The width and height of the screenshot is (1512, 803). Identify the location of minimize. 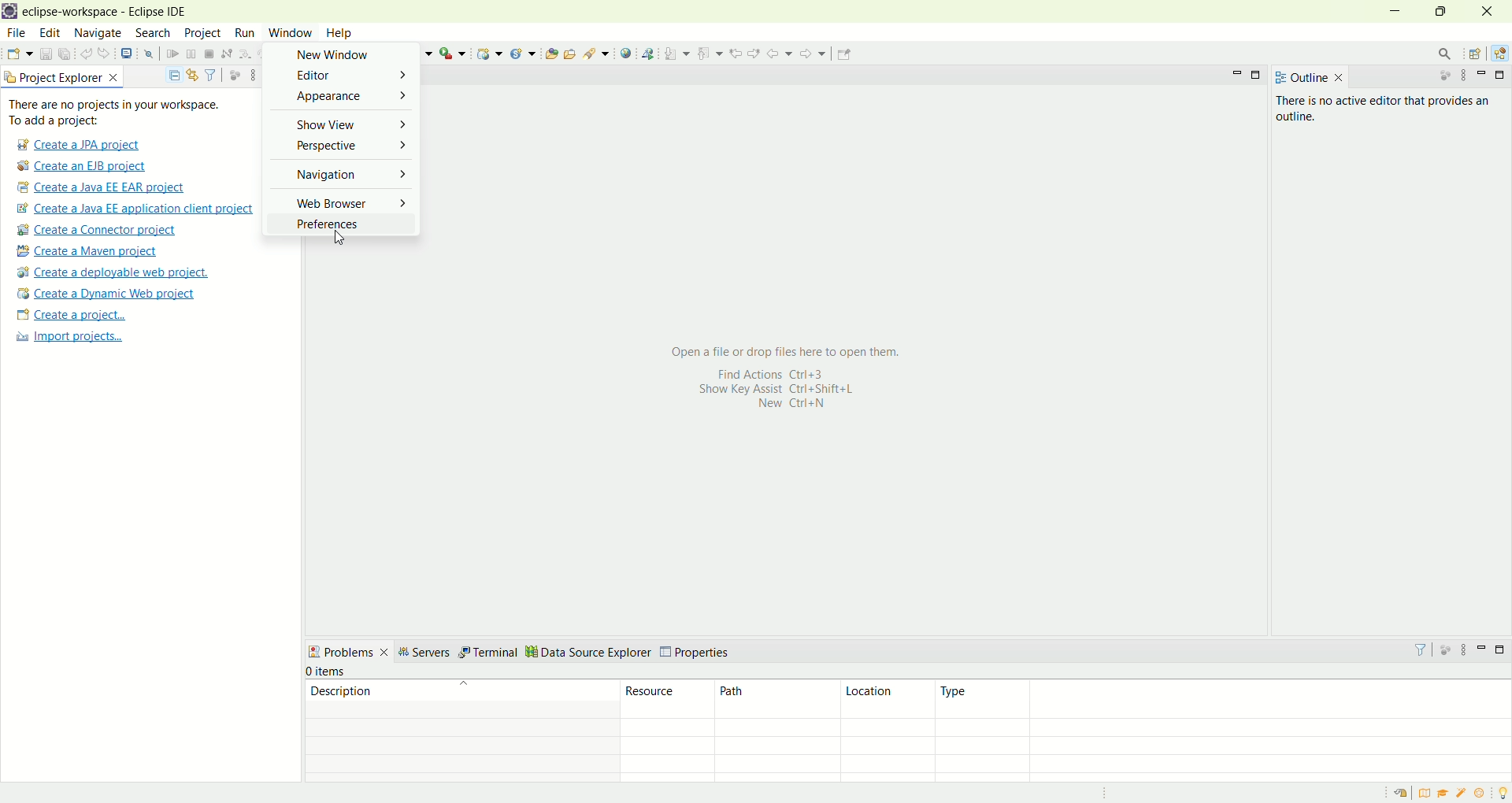
(1237, 73).